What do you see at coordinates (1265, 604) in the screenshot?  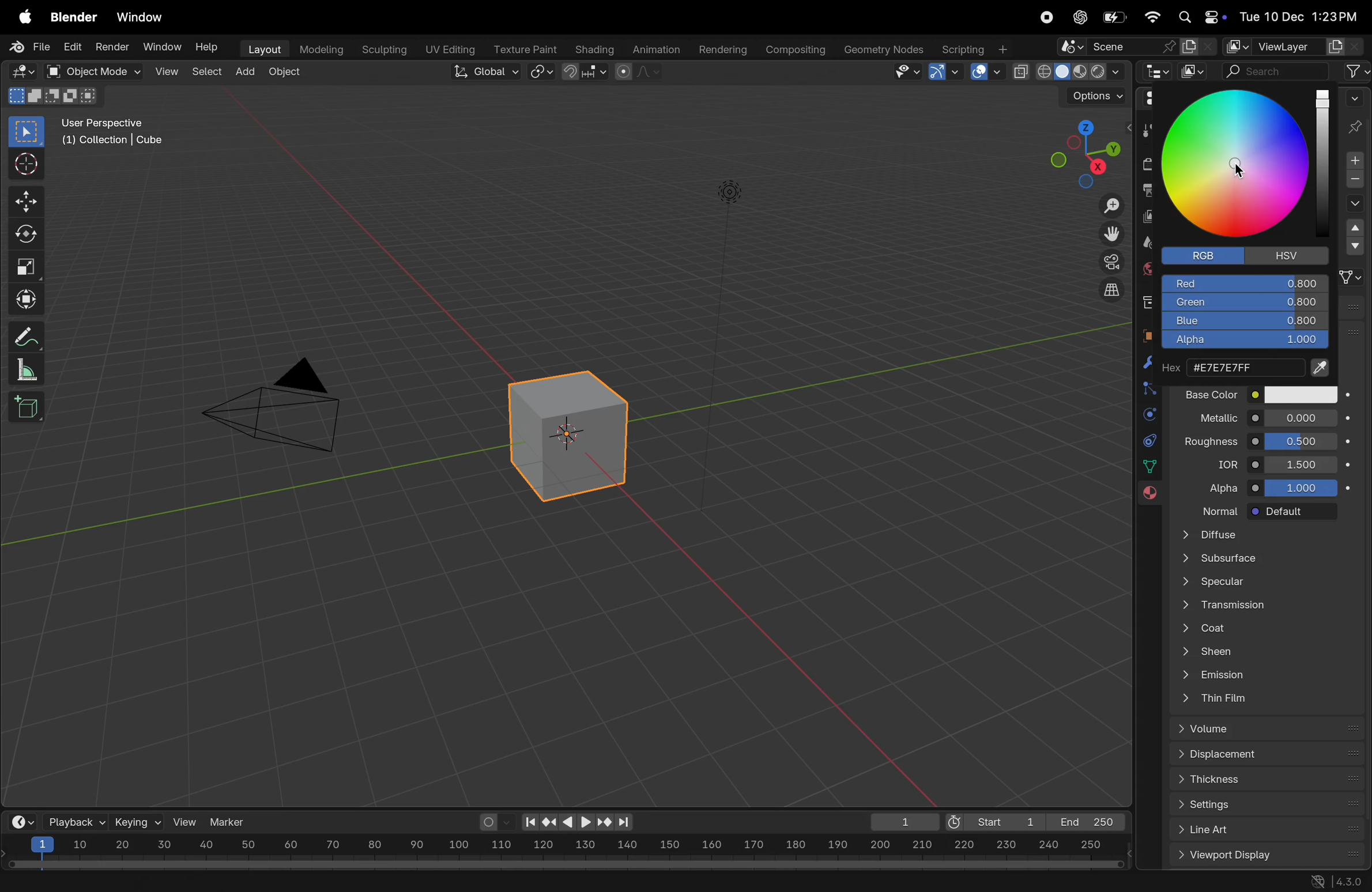 I see `transmission` at bounding box center [1265, 604].